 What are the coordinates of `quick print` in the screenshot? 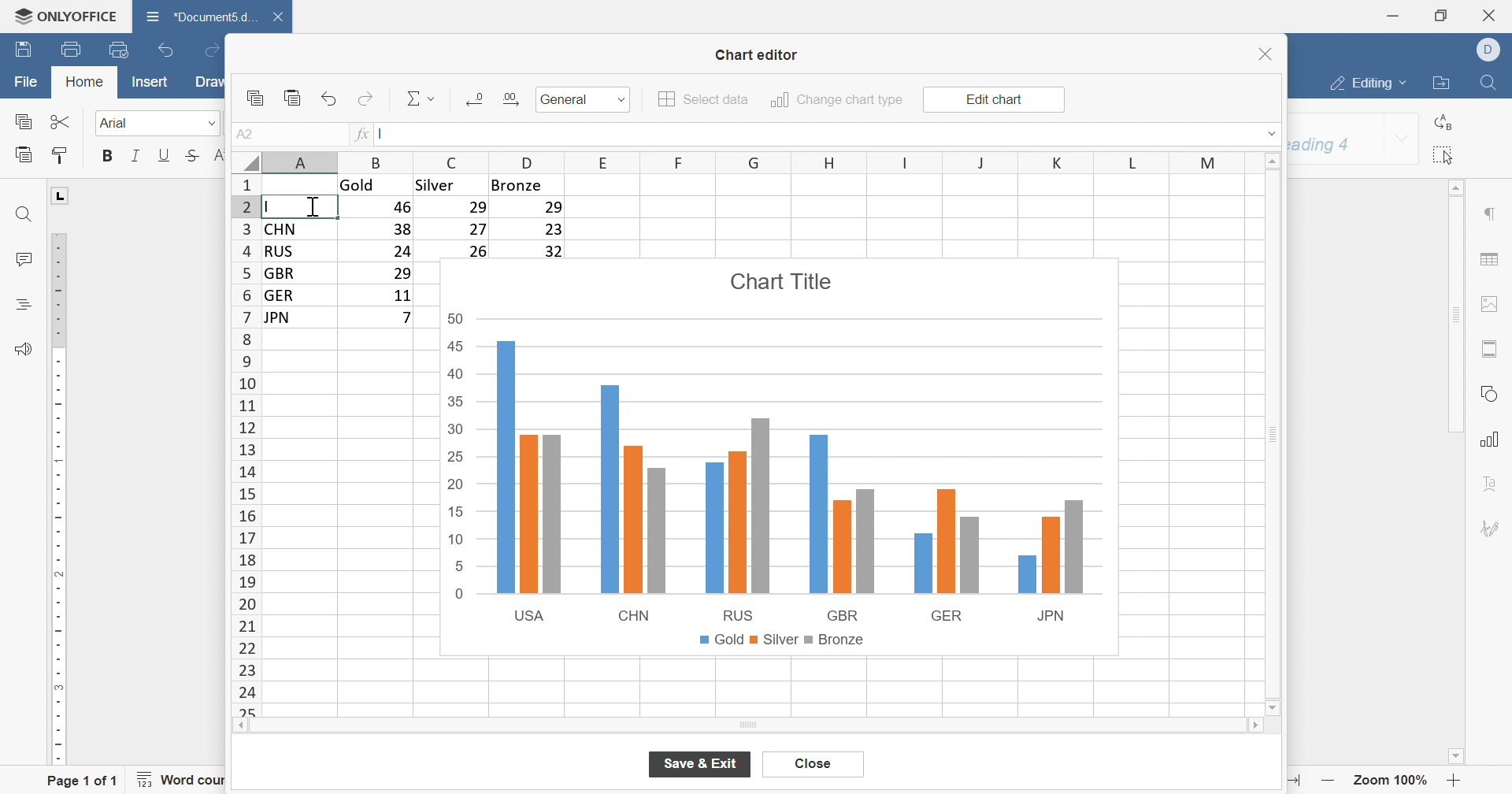 It's located at (118, 49).